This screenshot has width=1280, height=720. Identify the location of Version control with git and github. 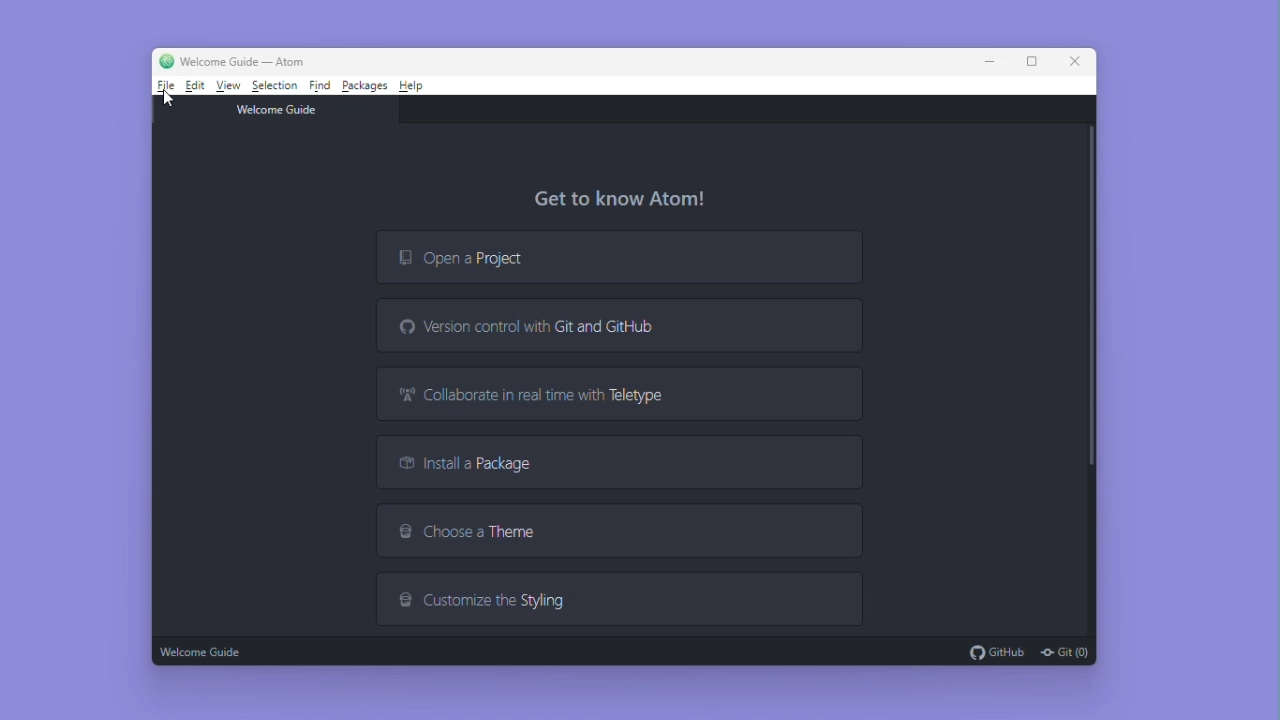
(625, 325).